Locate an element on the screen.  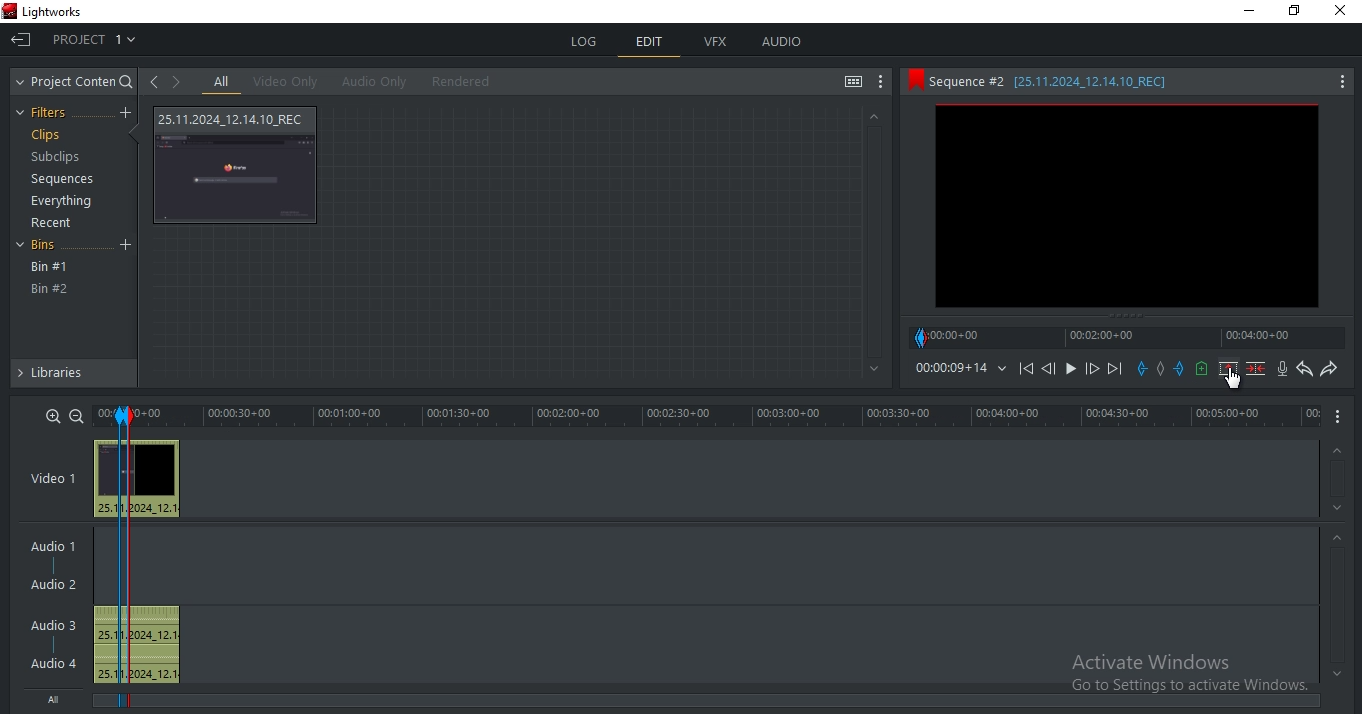
undo is located at coordinates (1305, 369).